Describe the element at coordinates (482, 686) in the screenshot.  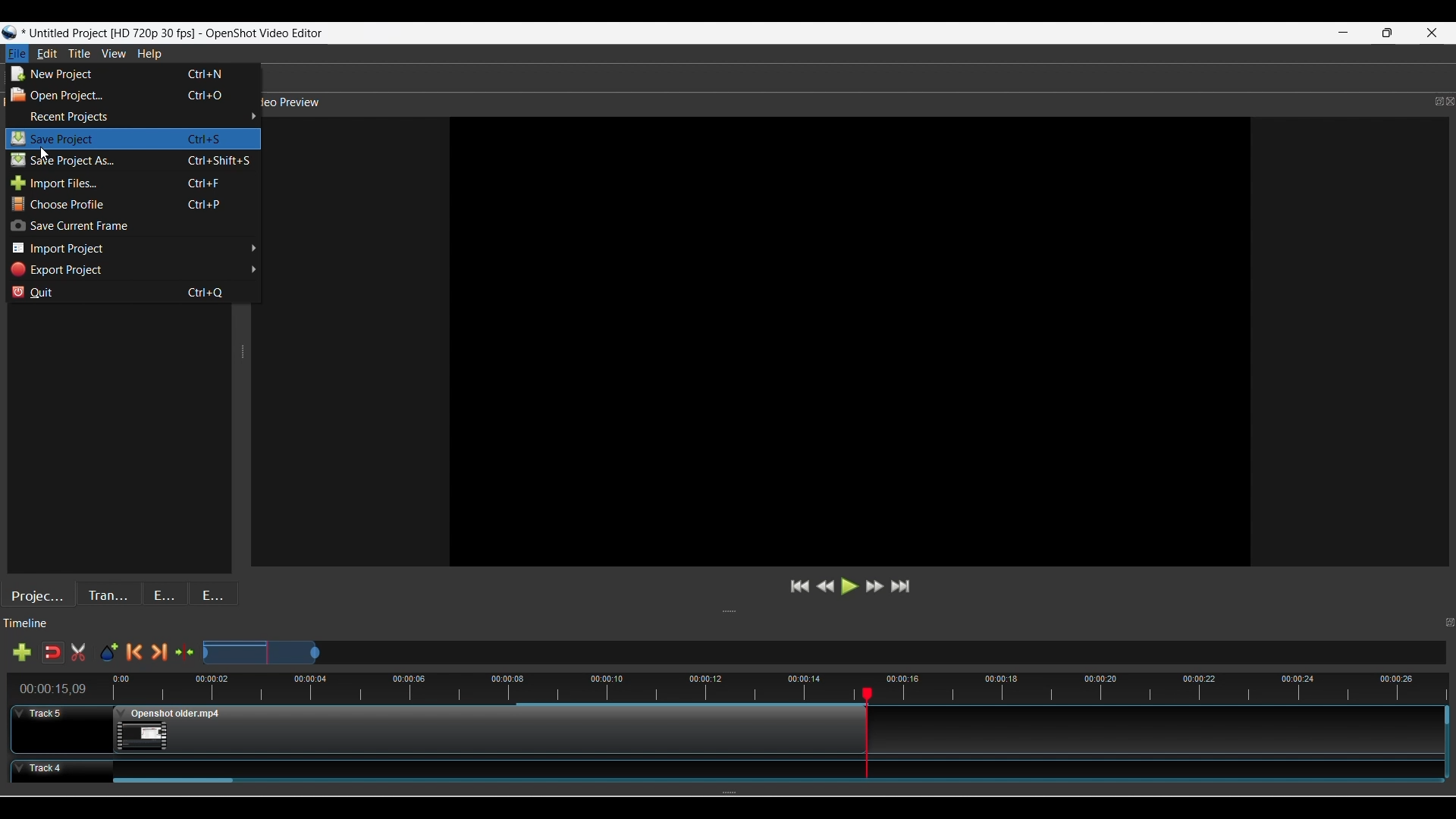
I see `Timestamps for all frames` at that location.